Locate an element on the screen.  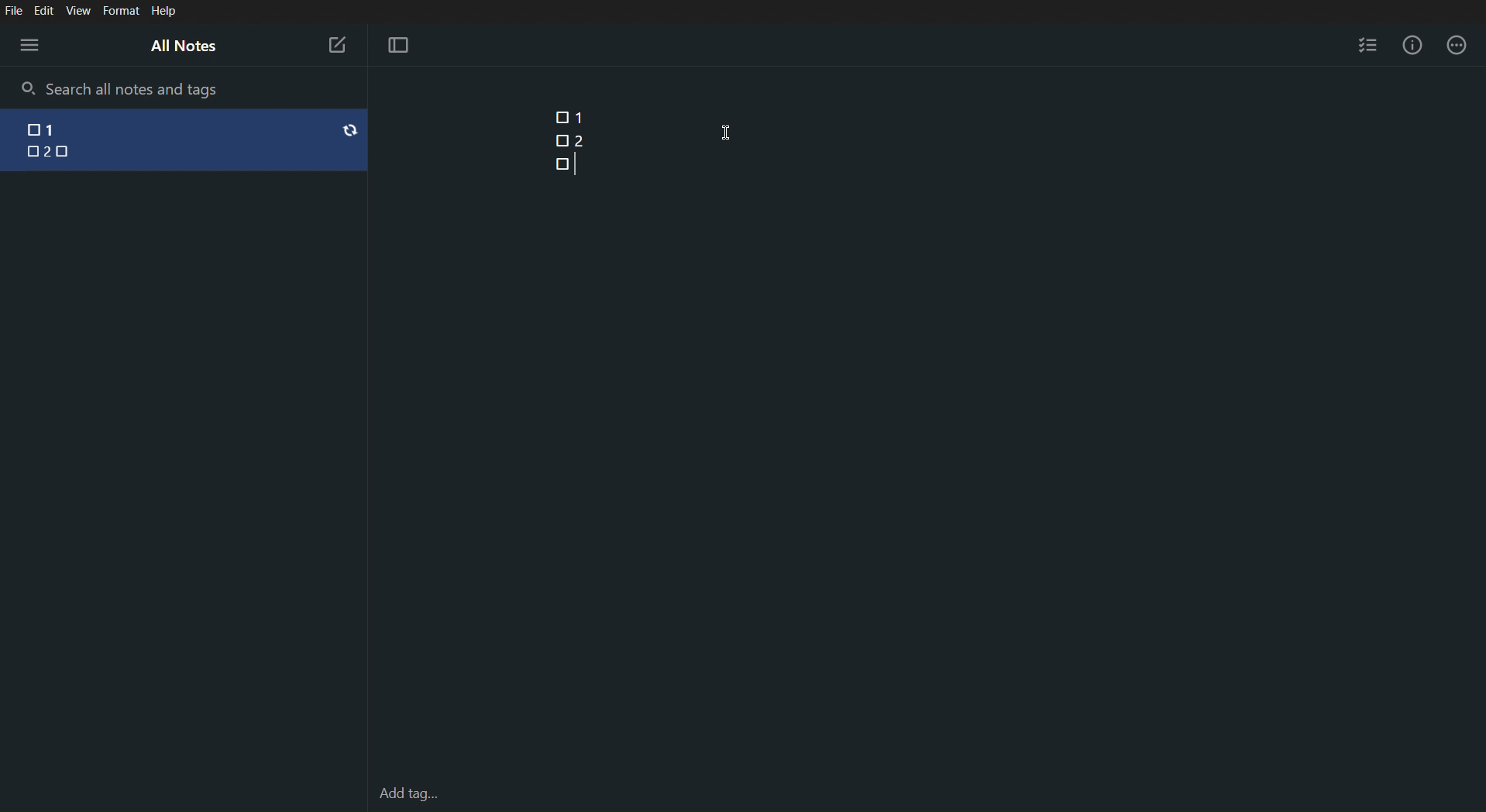
1 is located at coordinates (581, 117).